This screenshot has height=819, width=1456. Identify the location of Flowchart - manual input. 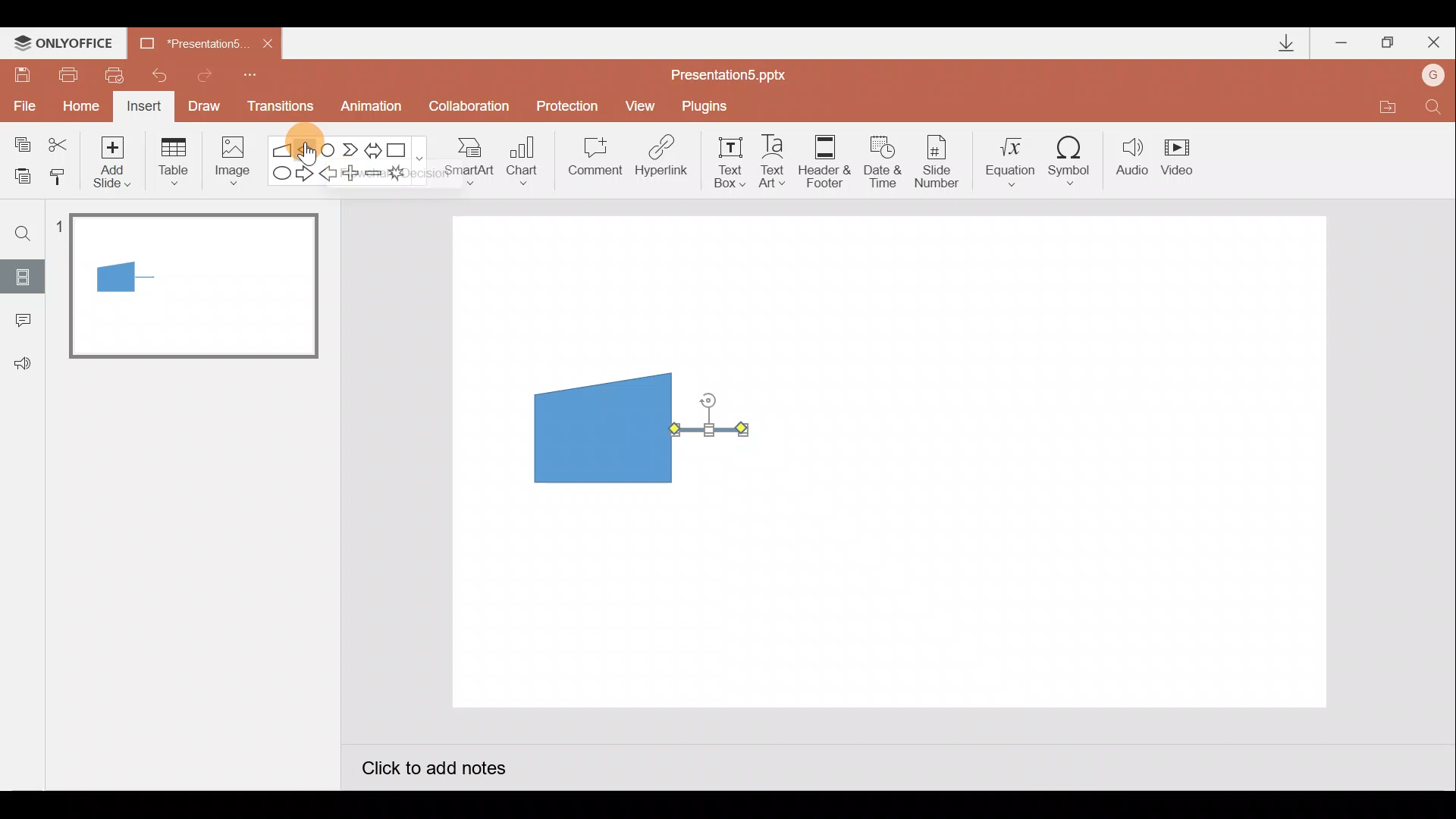
(284, 148).